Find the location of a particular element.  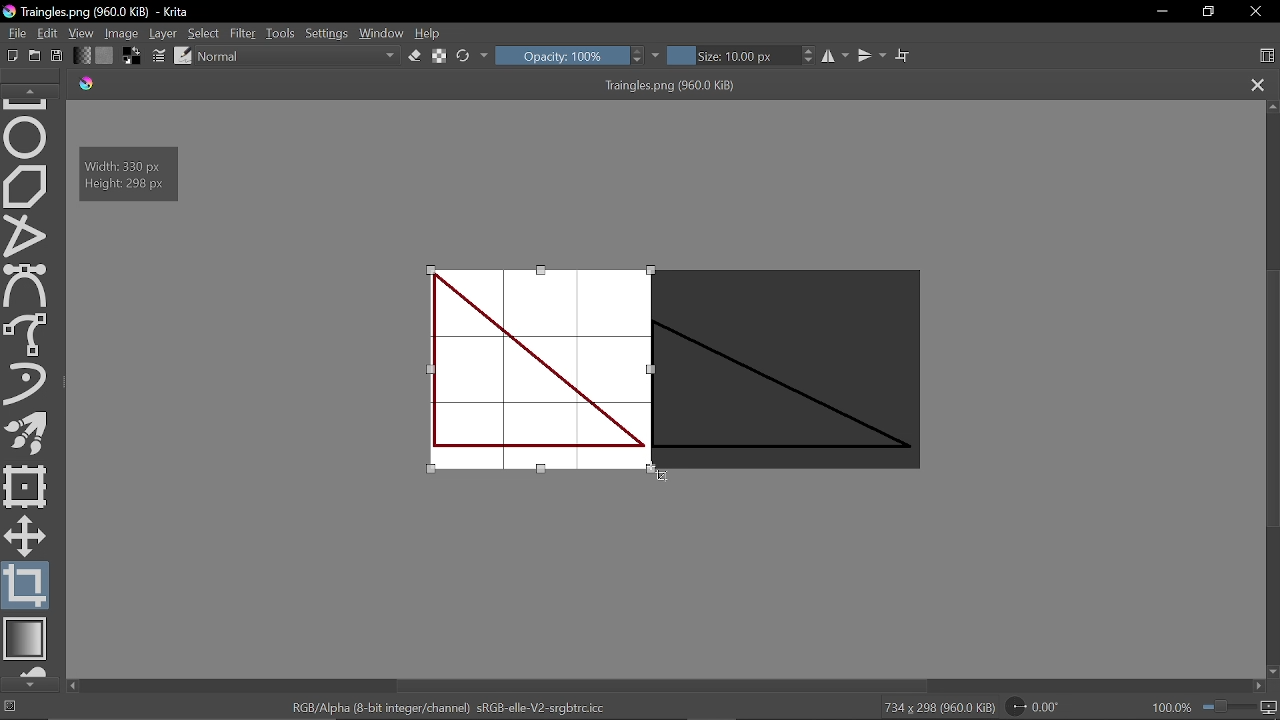

Choose workspace is located at coordinates (1267, 57).